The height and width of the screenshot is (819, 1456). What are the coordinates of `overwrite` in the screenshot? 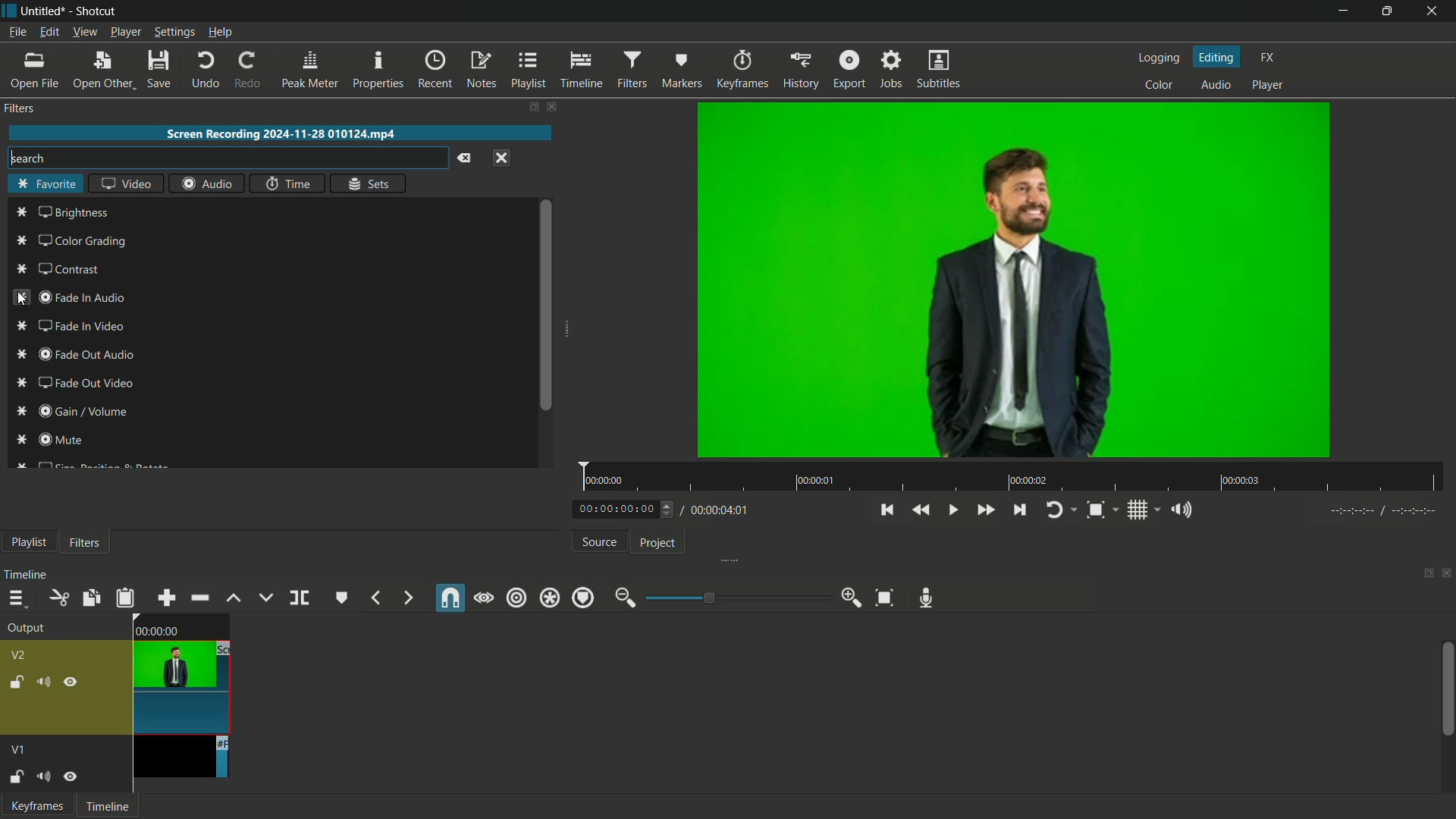 It's located at (265, 598).